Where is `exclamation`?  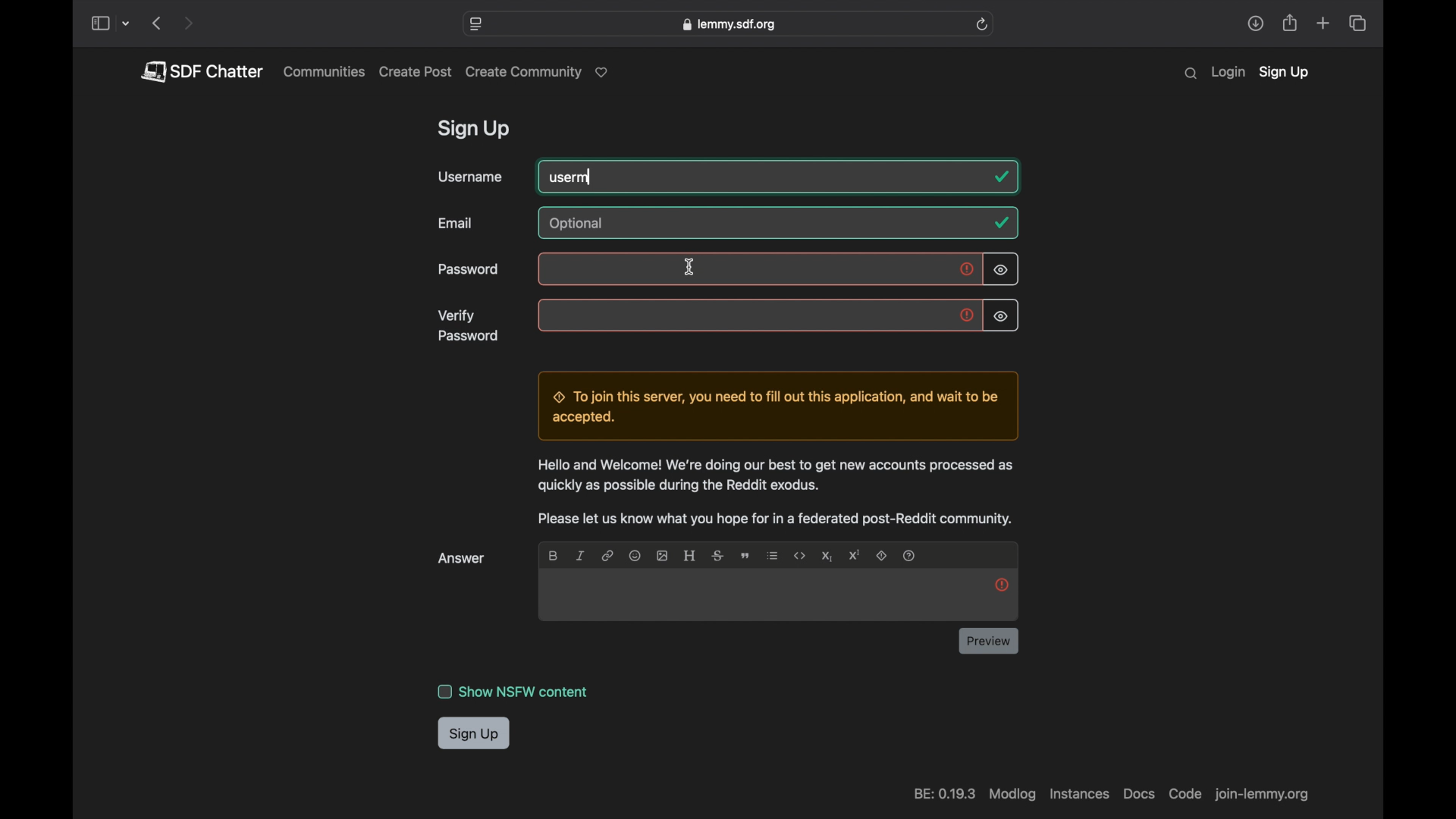 exclamation is located at coordinates (968, 271).